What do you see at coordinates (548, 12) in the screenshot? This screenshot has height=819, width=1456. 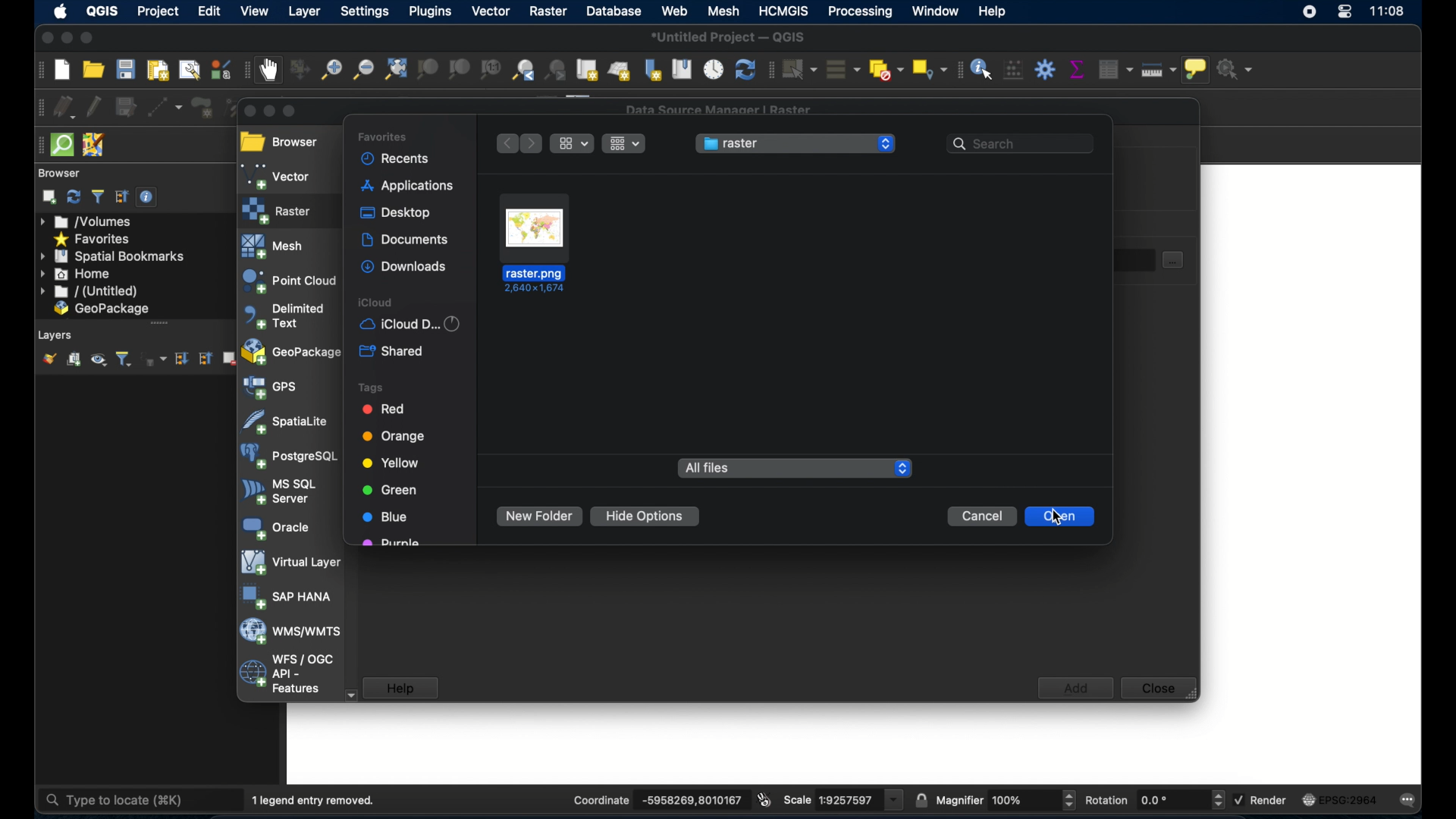 I see `raster` at bounding box center [548, 12].